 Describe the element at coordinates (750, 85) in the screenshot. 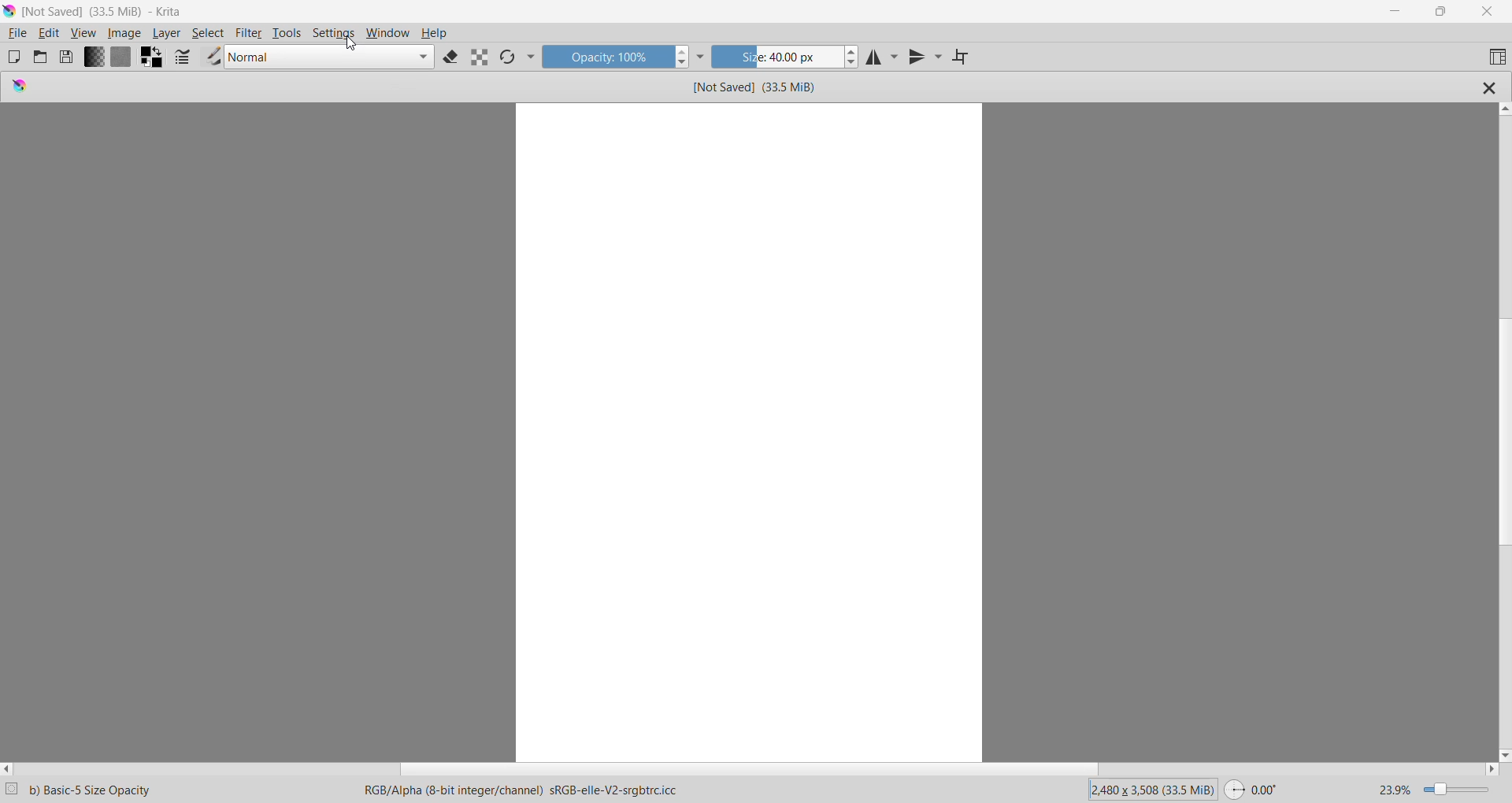

I see `File Name and Size` at that location.